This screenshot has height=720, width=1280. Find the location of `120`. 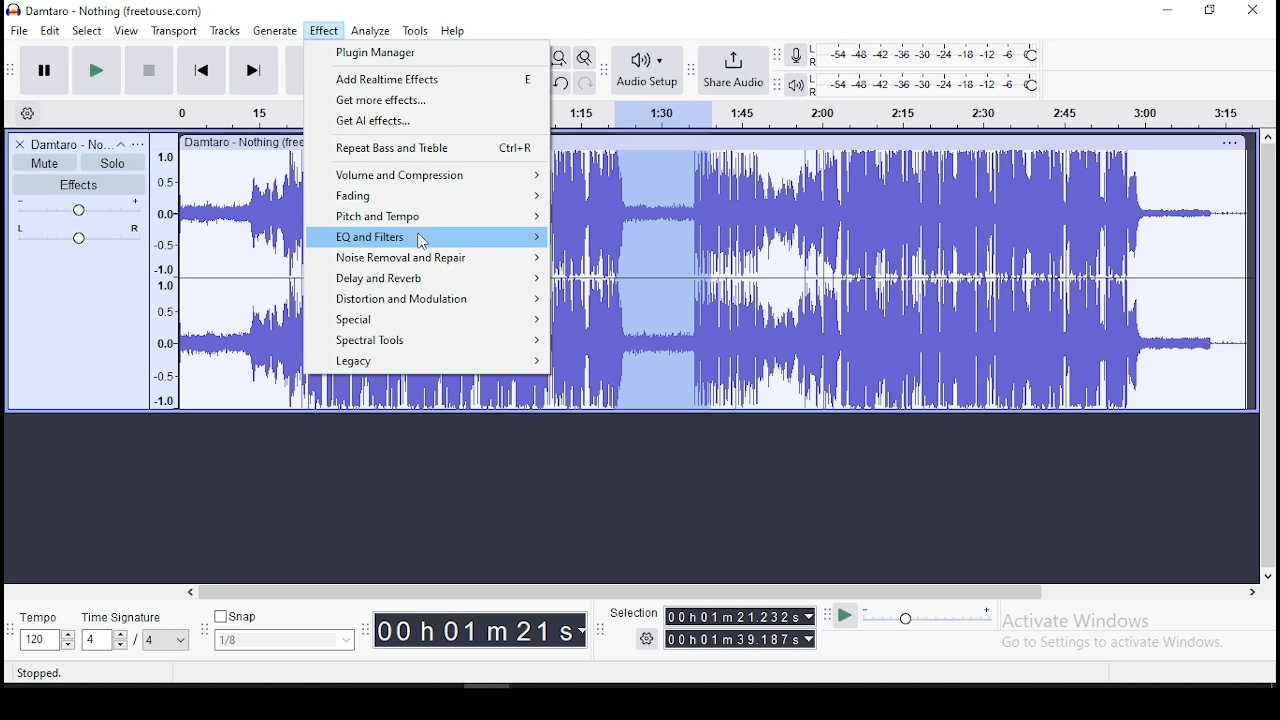

120 is located at coordinates (38, 641).